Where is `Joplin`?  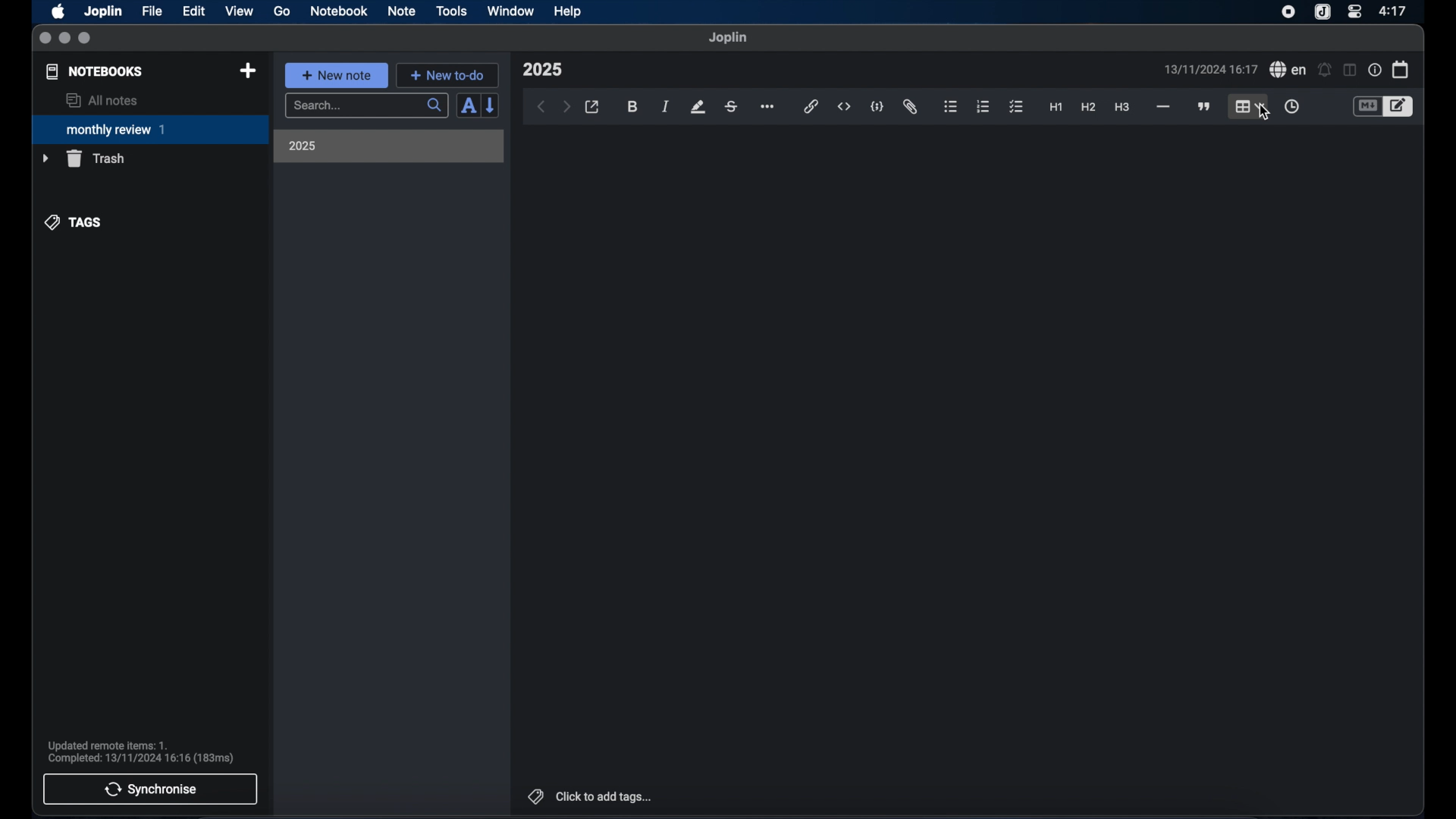 Joplin is located at coordinates (105, 12).